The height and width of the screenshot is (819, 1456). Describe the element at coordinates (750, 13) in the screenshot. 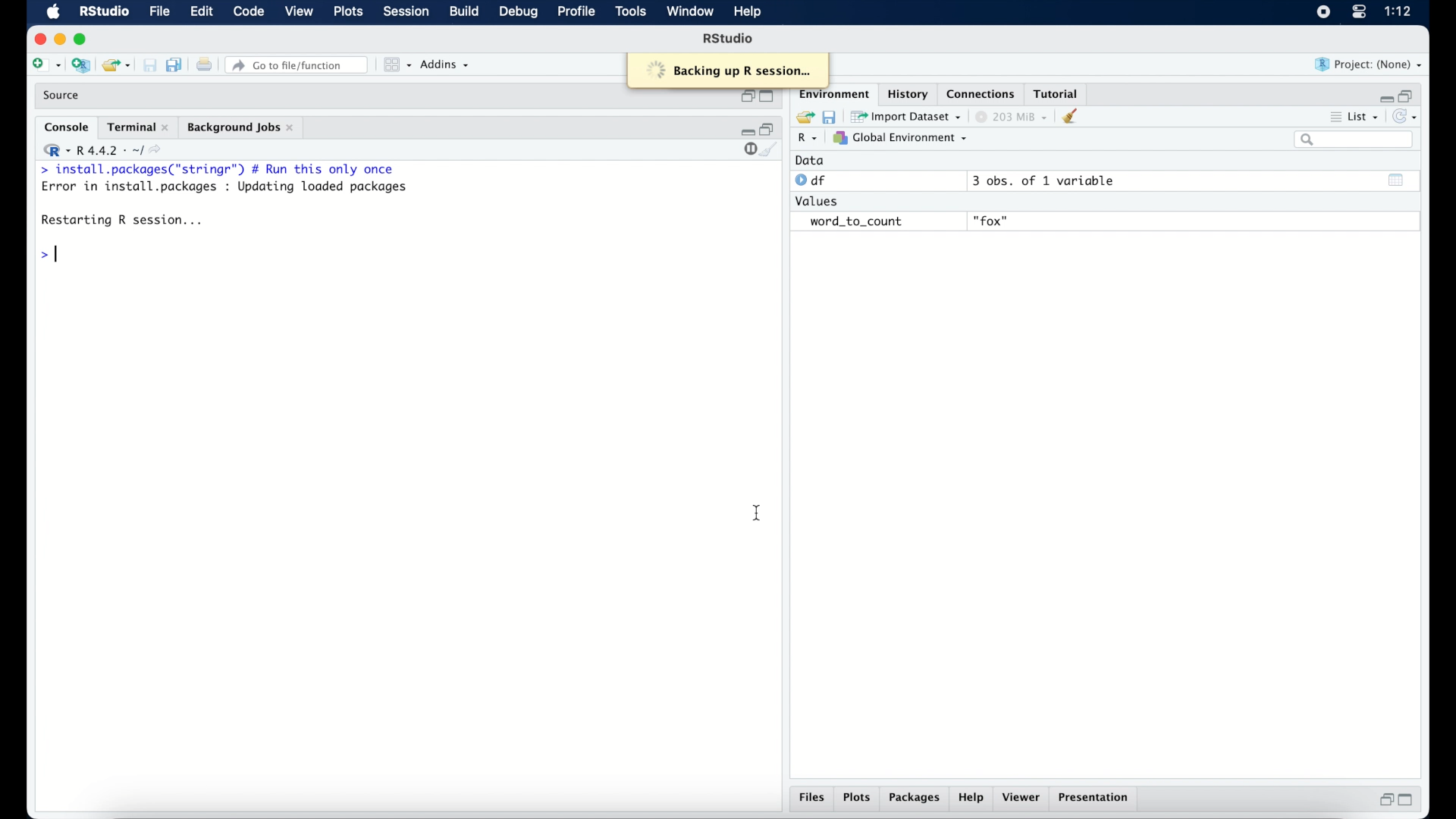

I see `help` at that location.